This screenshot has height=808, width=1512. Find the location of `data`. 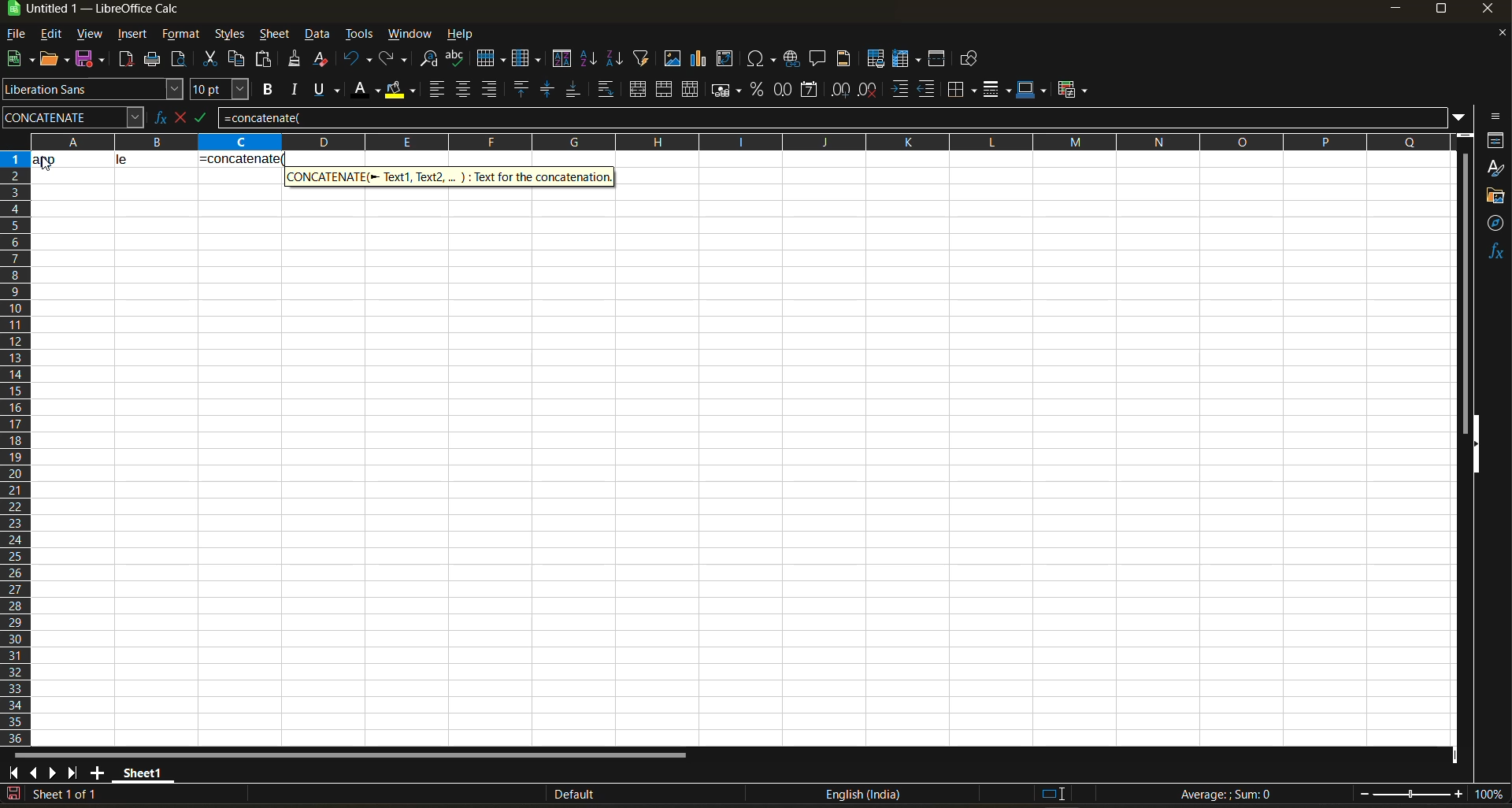

data is located at coordinates (113, 159).